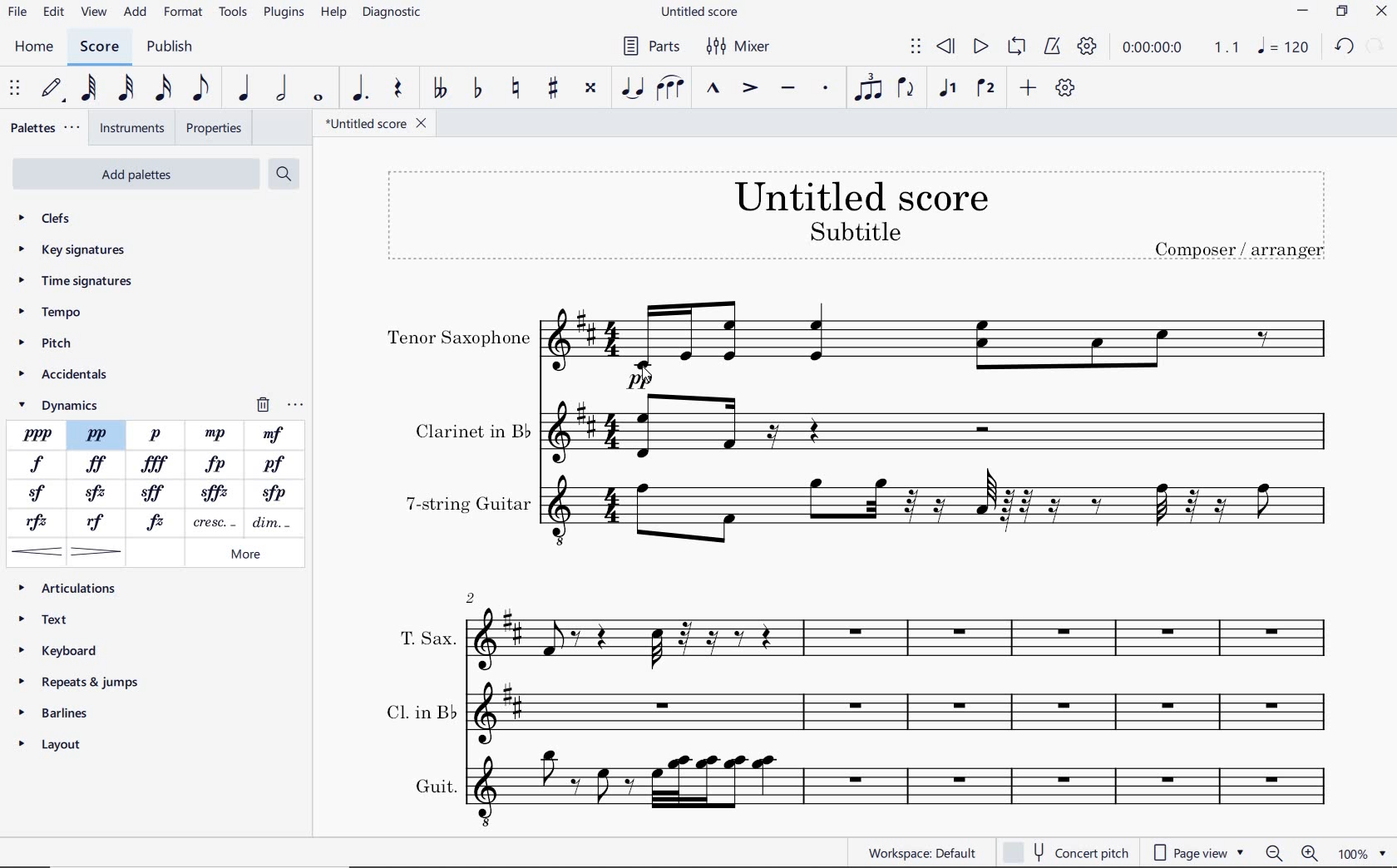 The width and height of the screenshot is (1397, 868). Describe the element at coordinates (551, 88) in the screenshot. I see `TOGGLE SHARP` at that location.